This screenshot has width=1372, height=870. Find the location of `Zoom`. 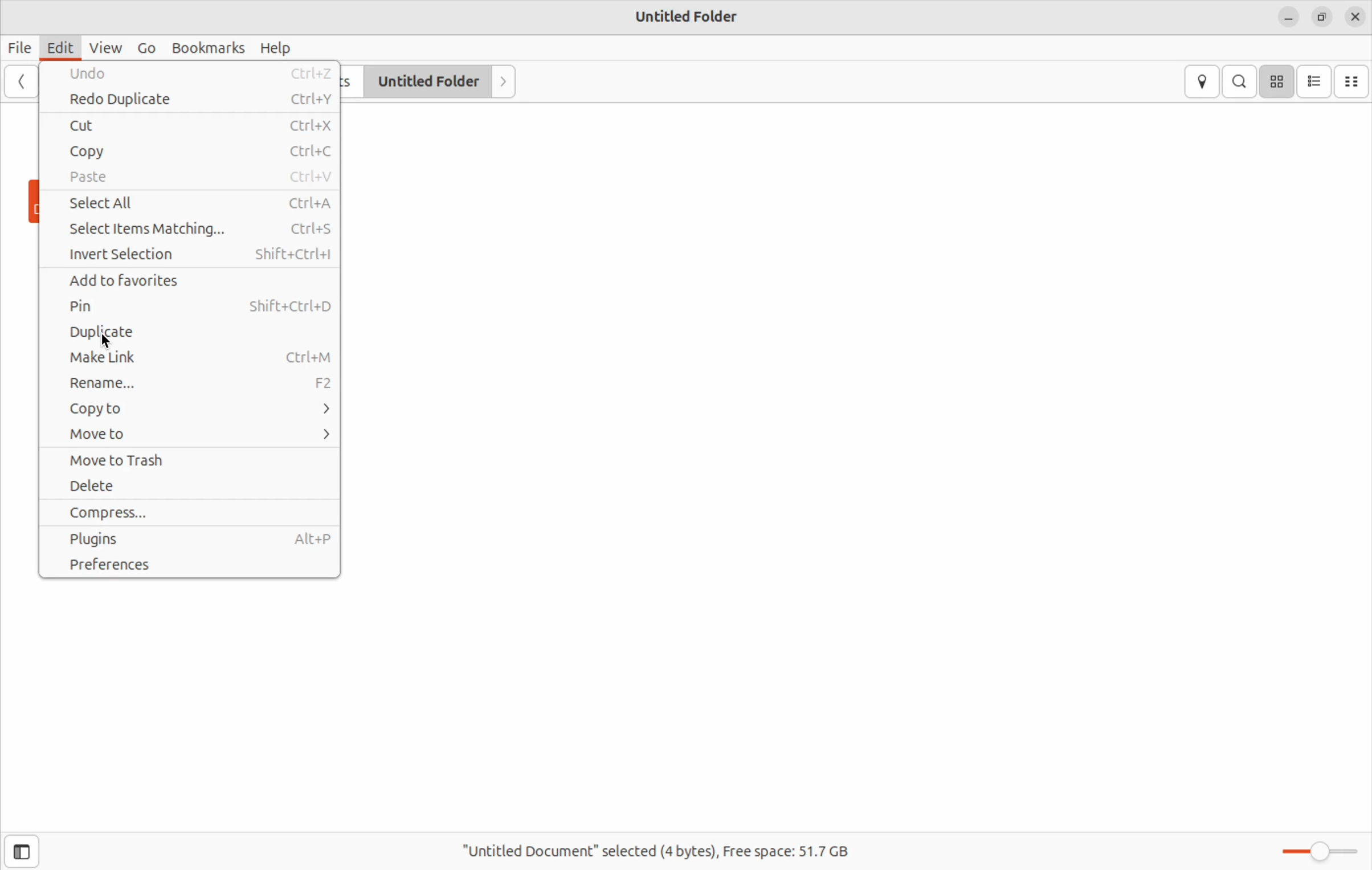

Zoom is located at coordinates (1319, 851).